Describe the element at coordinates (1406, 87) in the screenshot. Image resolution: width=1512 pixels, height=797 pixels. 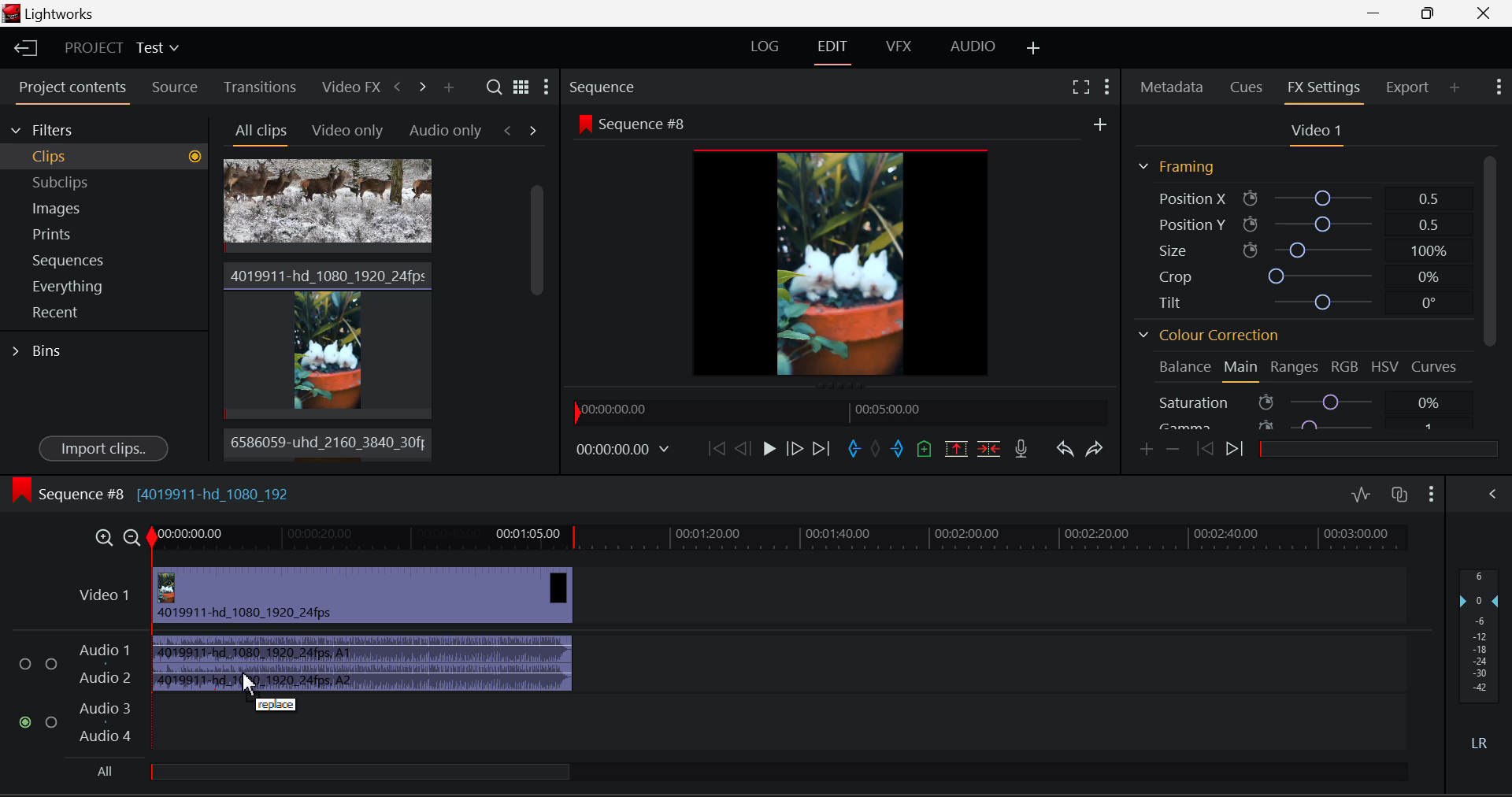
I see `Export` at that location.